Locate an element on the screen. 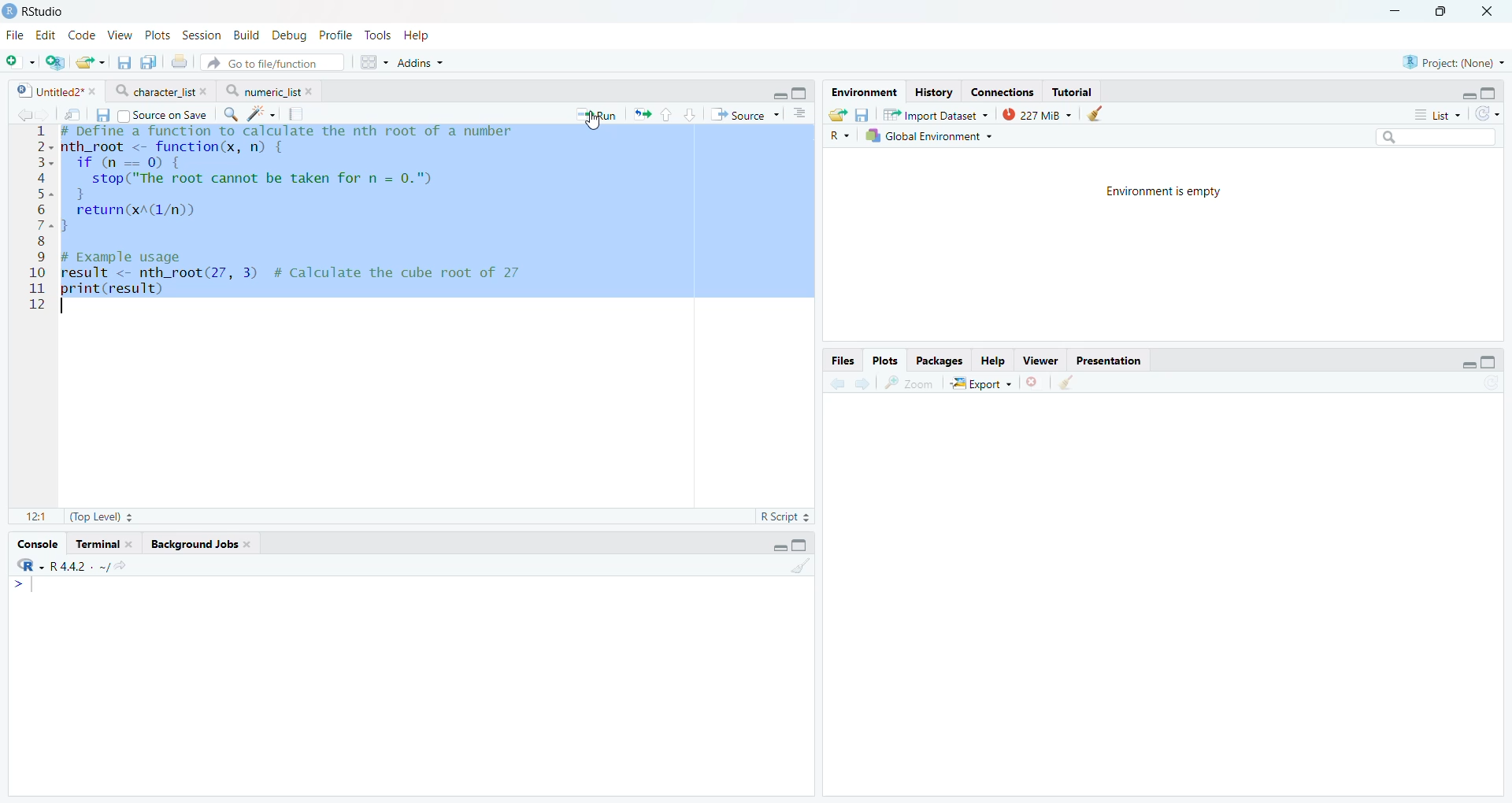 Image resolution: width=1512 pixels, height=803 pixels. Addins is located at coordinates (421, 63).